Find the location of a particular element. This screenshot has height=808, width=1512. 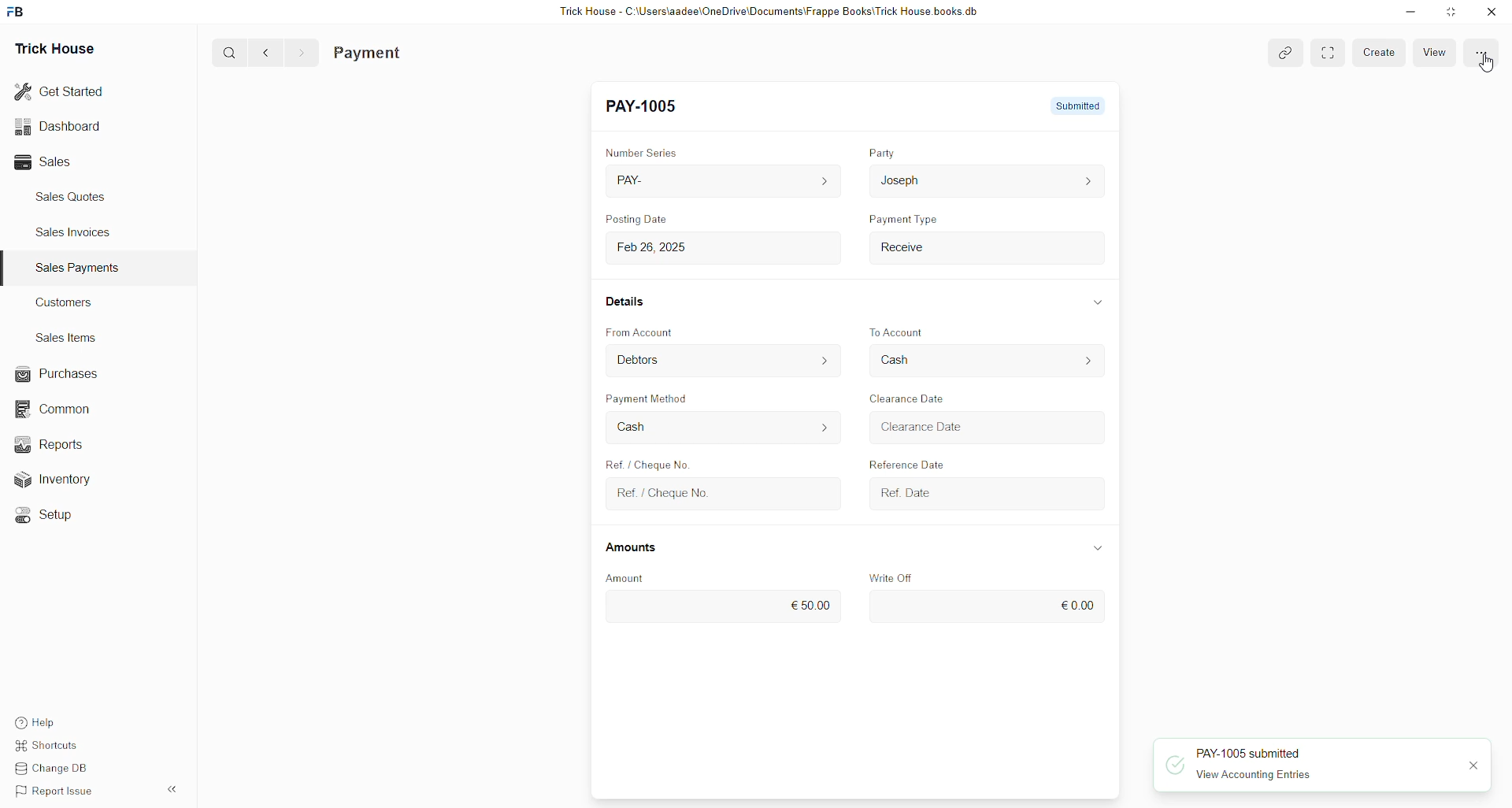

From Account is located at coordinates (640, 332).